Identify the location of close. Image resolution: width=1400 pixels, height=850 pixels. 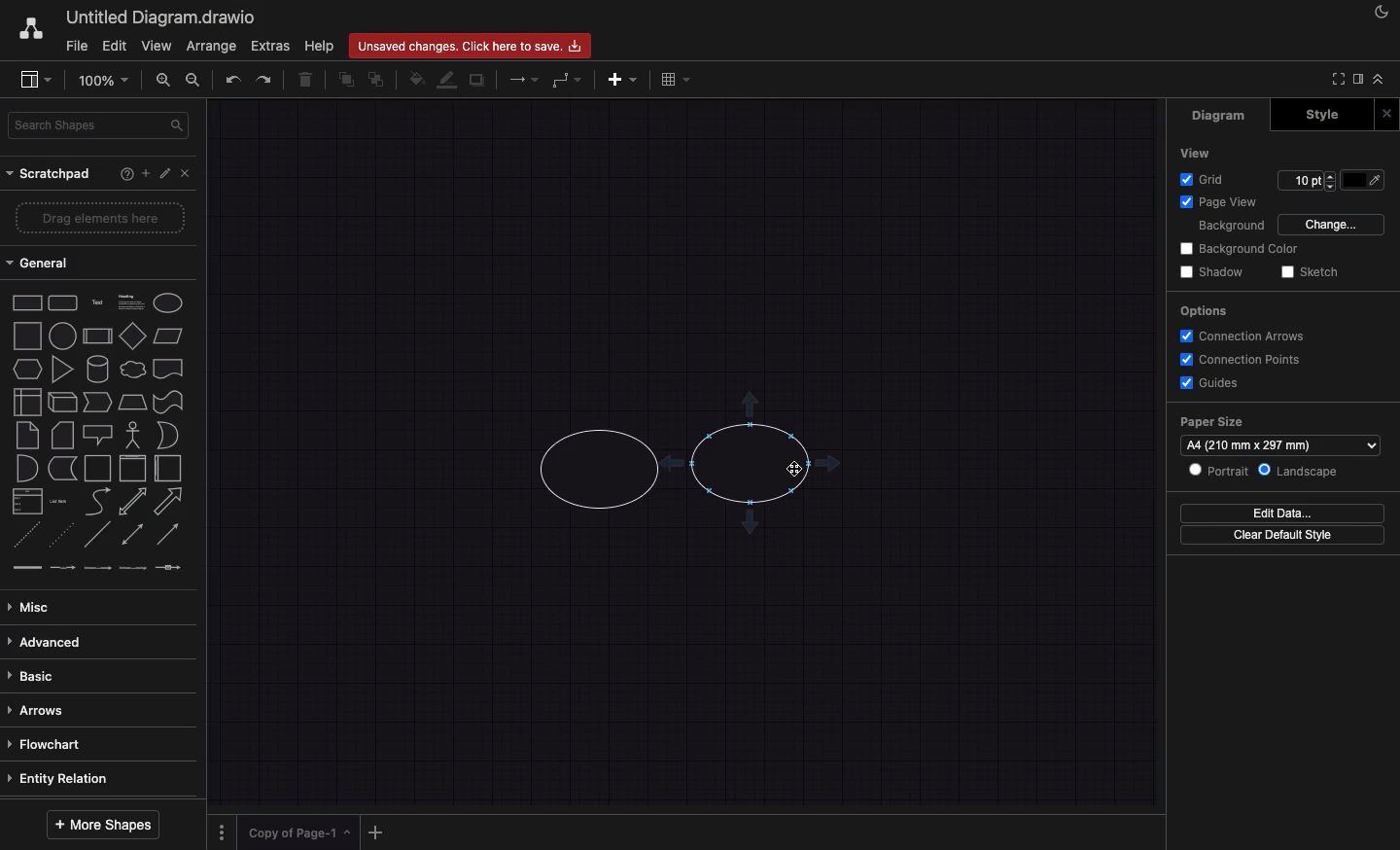
(187, 173).